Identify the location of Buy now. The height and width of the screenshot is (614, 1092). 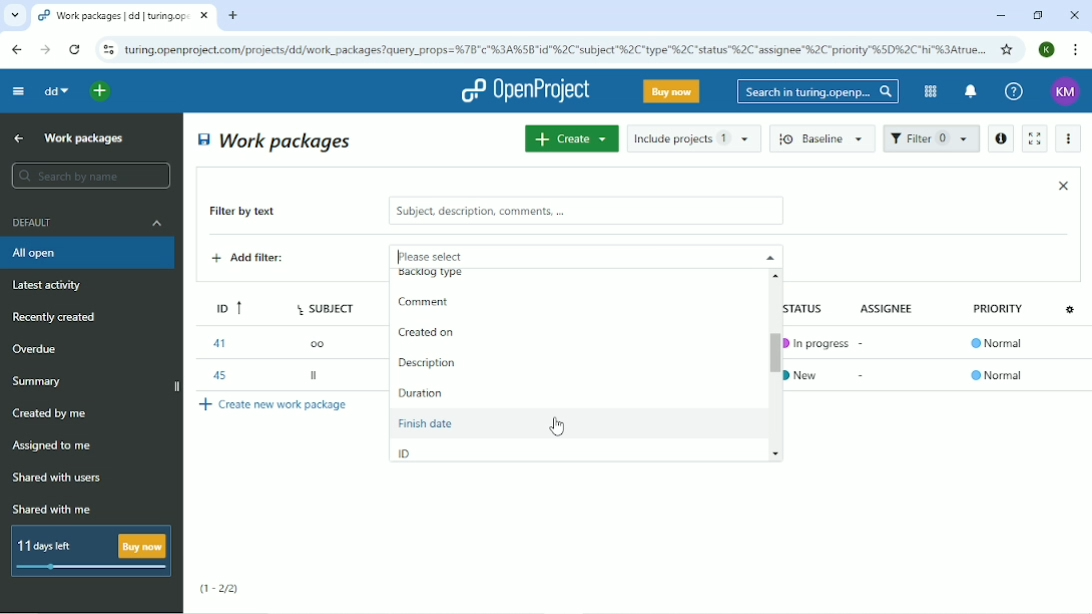
(672, 91).